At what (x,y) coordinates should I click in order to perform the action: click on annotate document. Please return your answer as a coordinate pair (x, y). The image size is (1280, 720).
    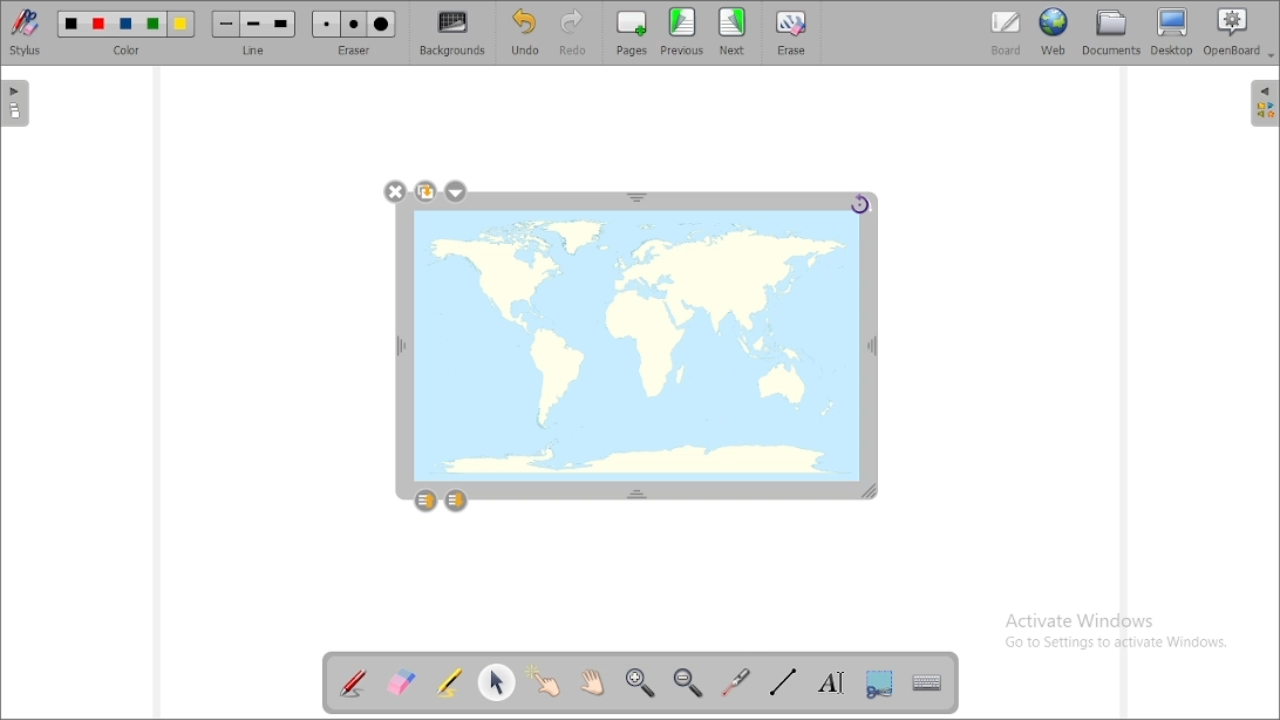
    Looking at the image, I should click on (354, 685).